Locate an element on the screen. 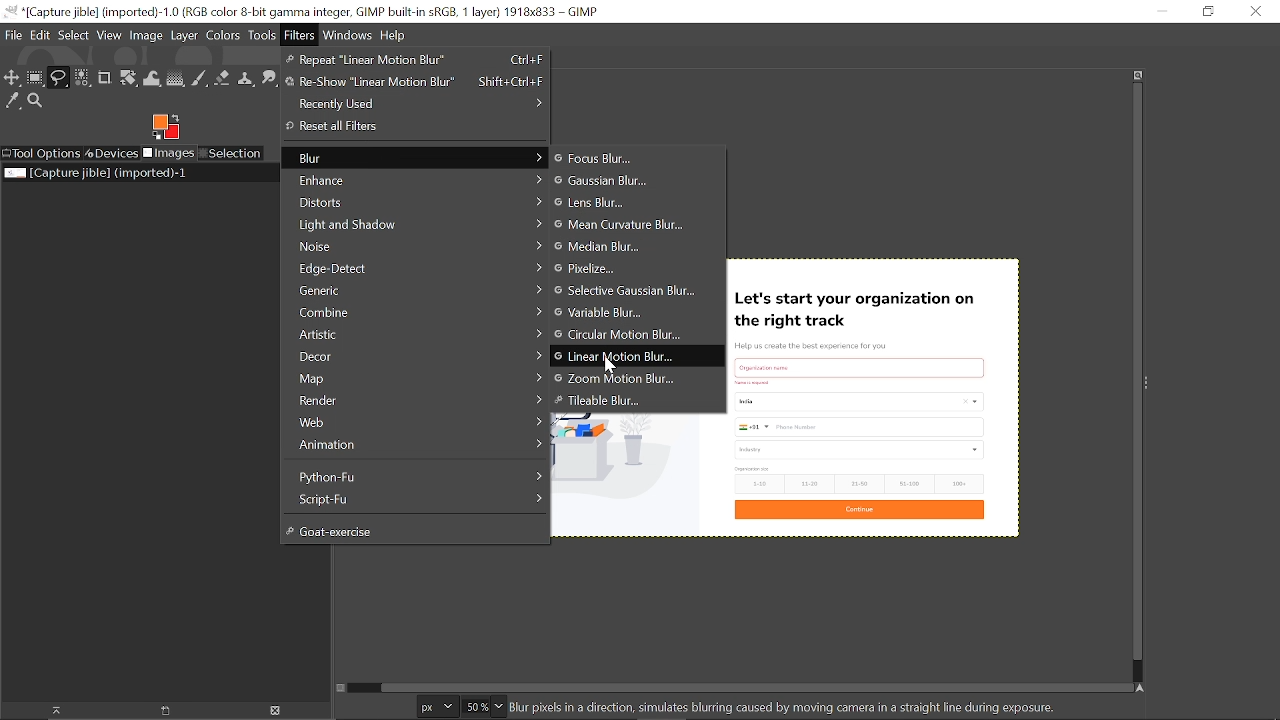 This screenshot has width=1280, height=720. Web is located at coordinates (415, 423).